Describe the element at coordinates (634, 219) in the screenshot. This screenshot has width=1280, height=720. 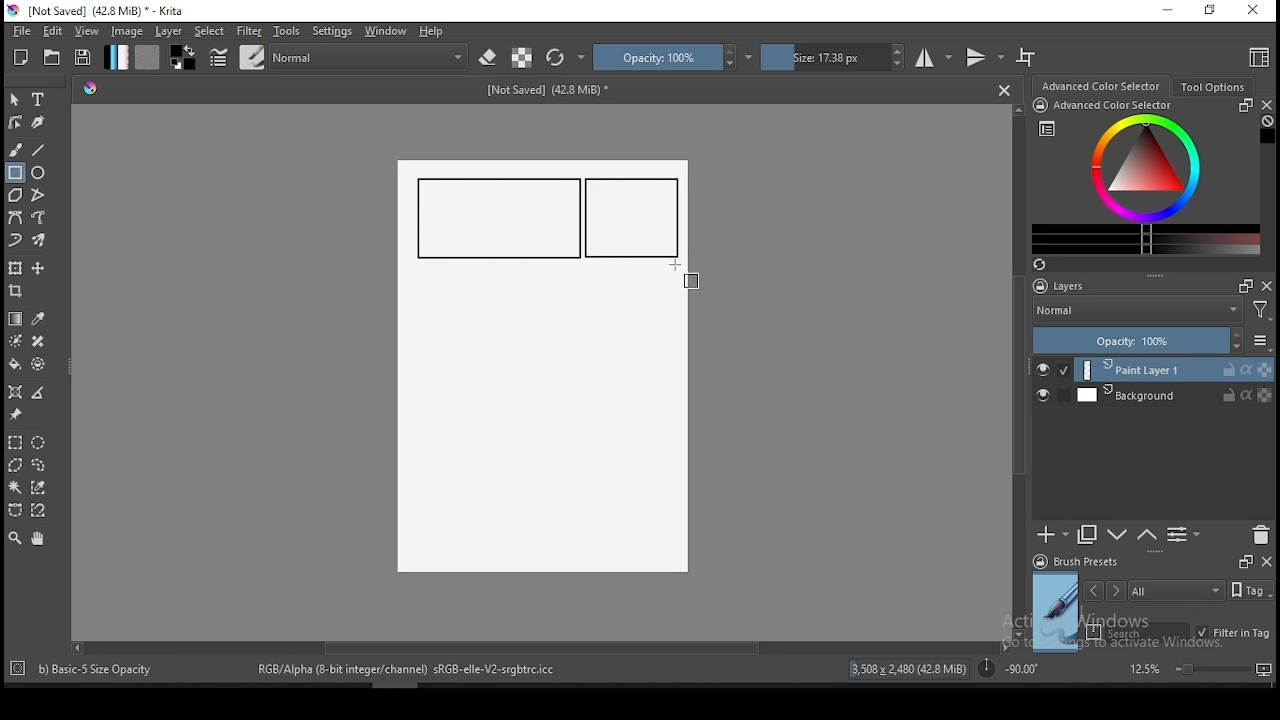
I see `new rectangle` at that location.